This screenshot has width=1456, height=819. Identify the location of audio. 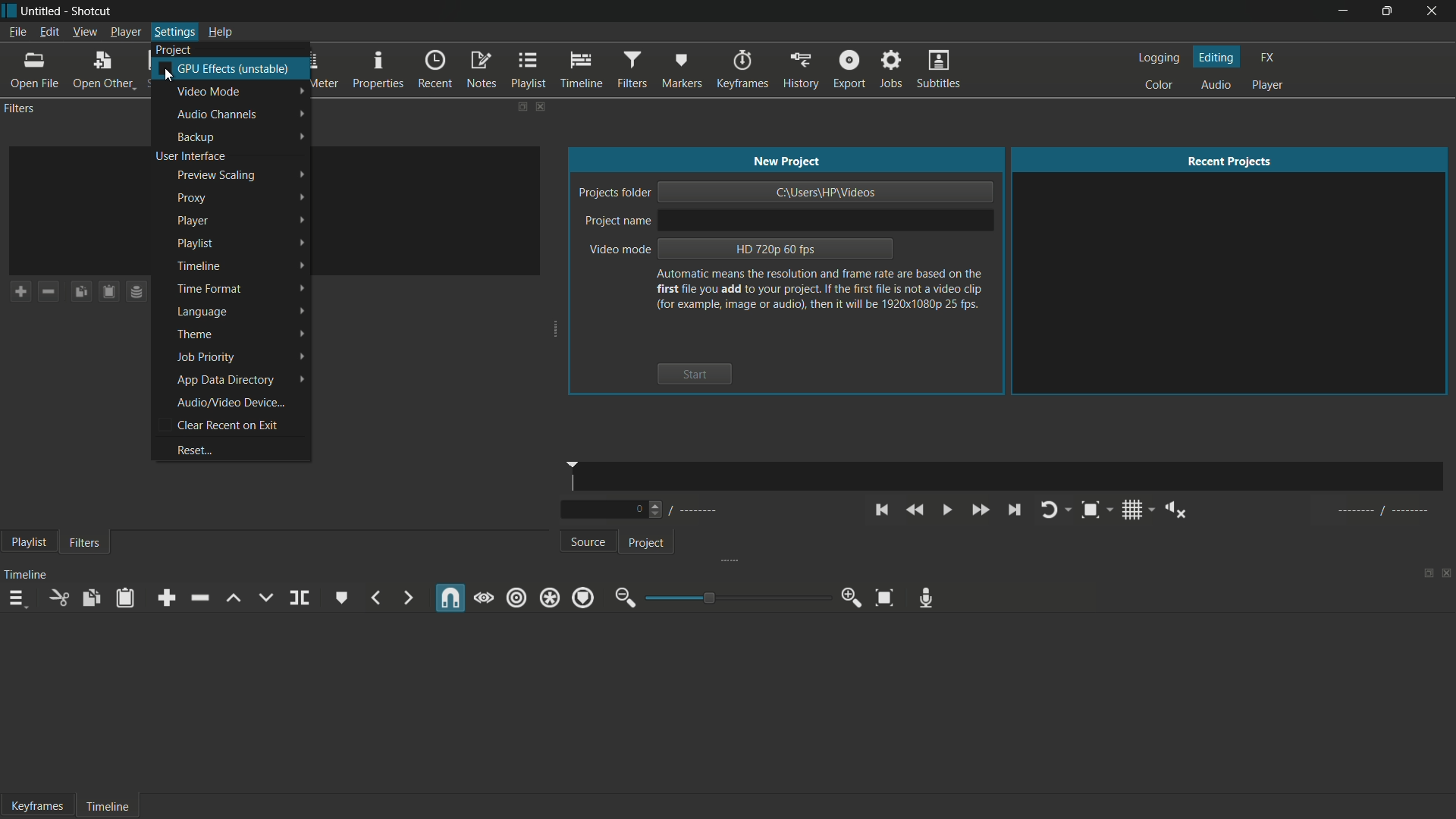
(1219, 85).